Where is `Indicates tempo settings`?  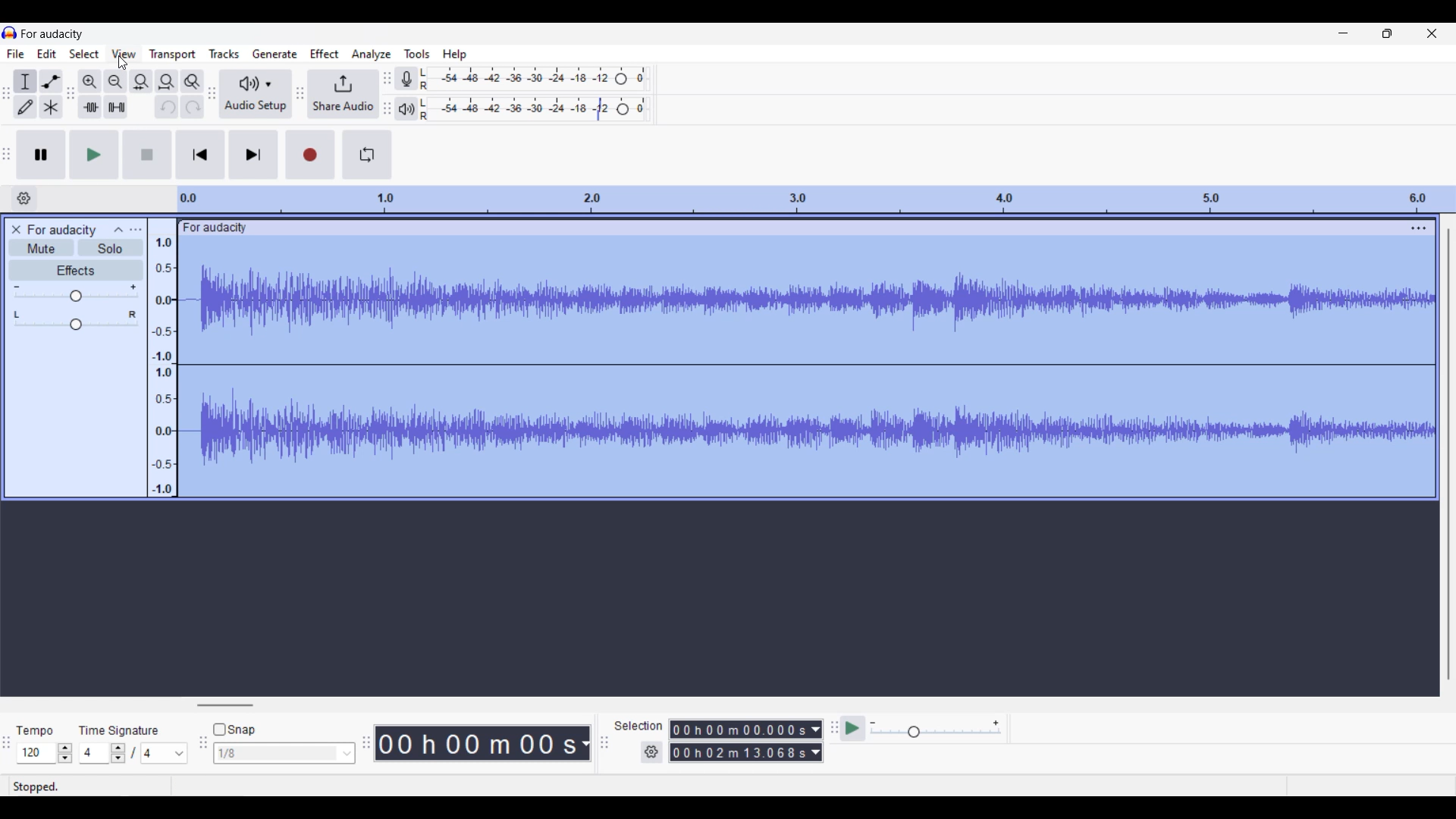
Indicates tempo settings is located at coordinates (34, 731).